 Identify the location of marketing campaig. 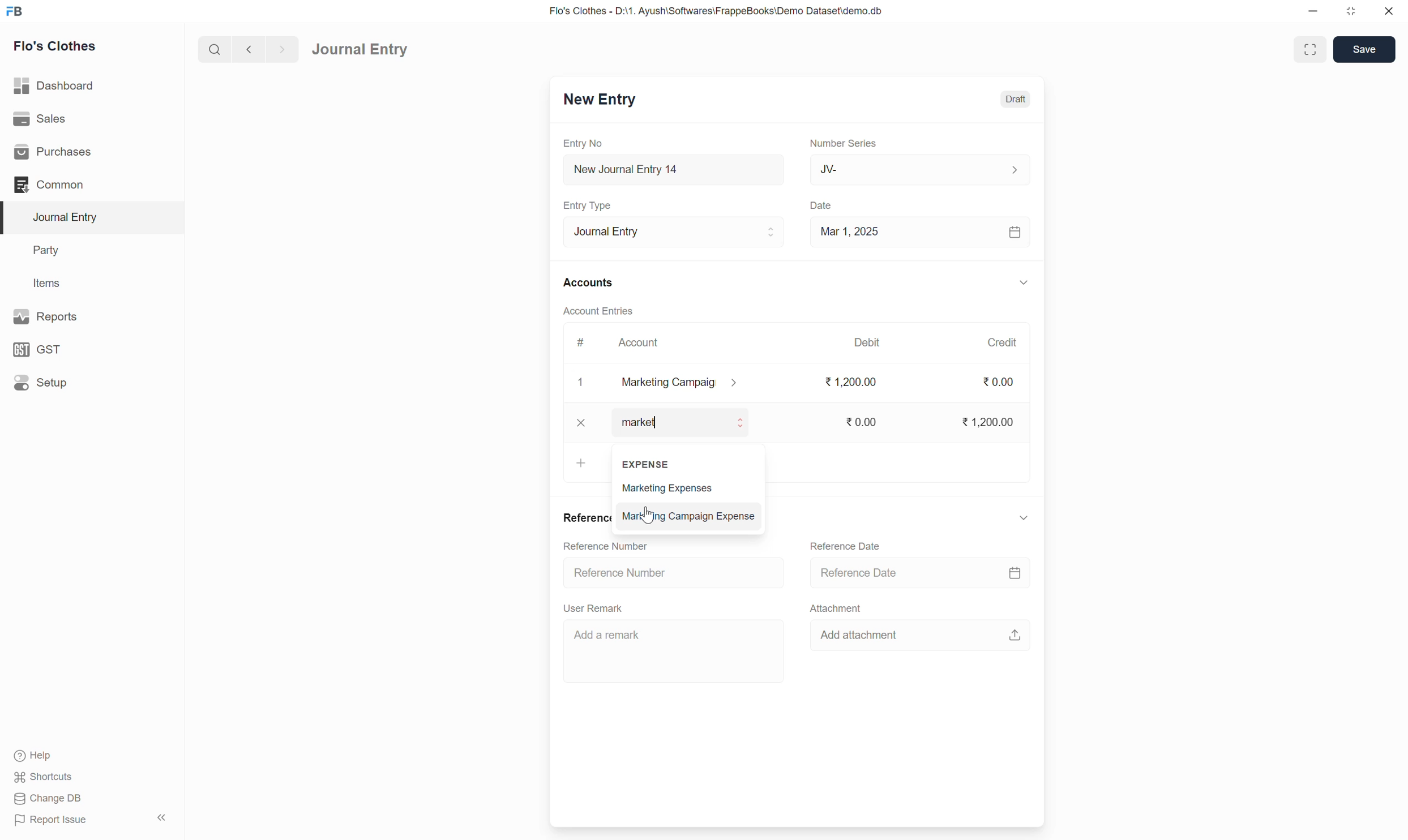
(688, 383).